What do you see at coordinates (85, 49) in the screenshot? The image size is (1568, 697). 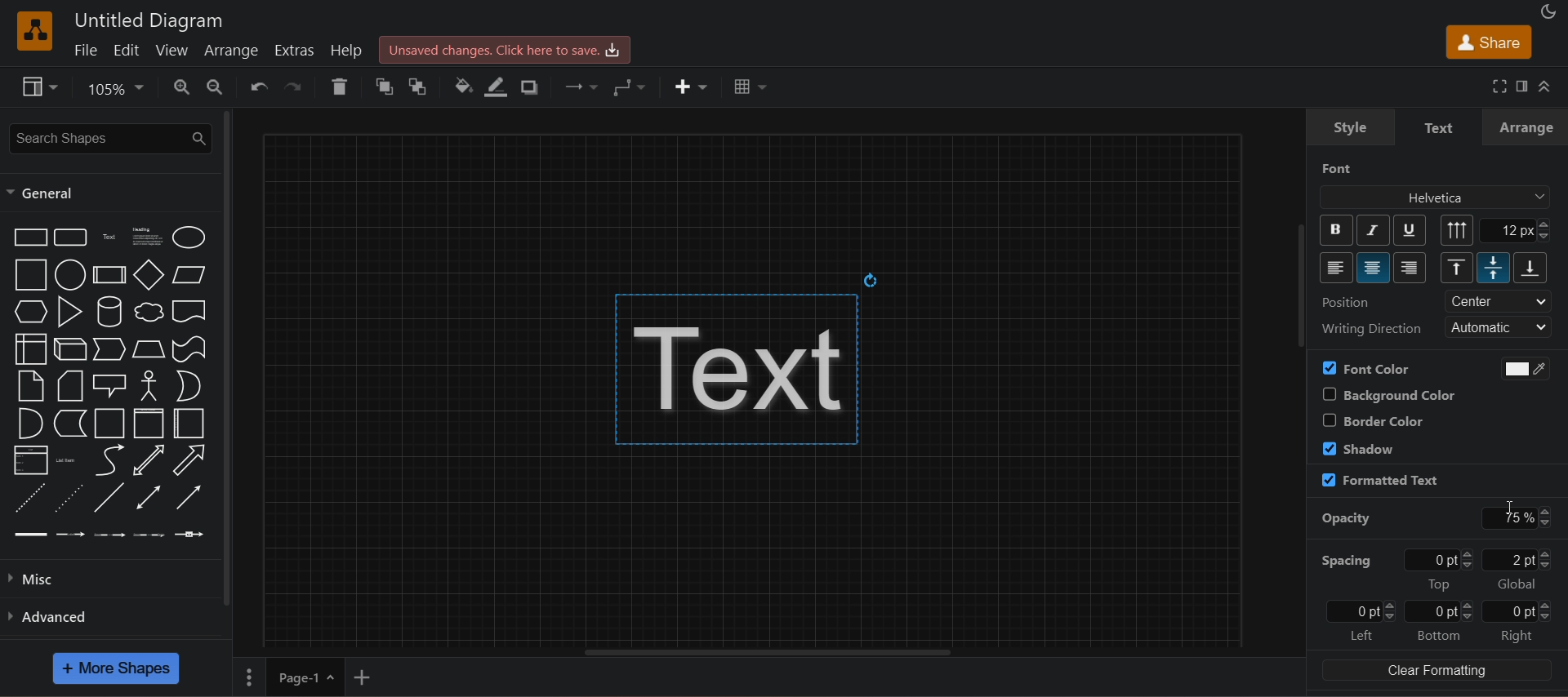 I see `file` at bounding box center [85, 49].